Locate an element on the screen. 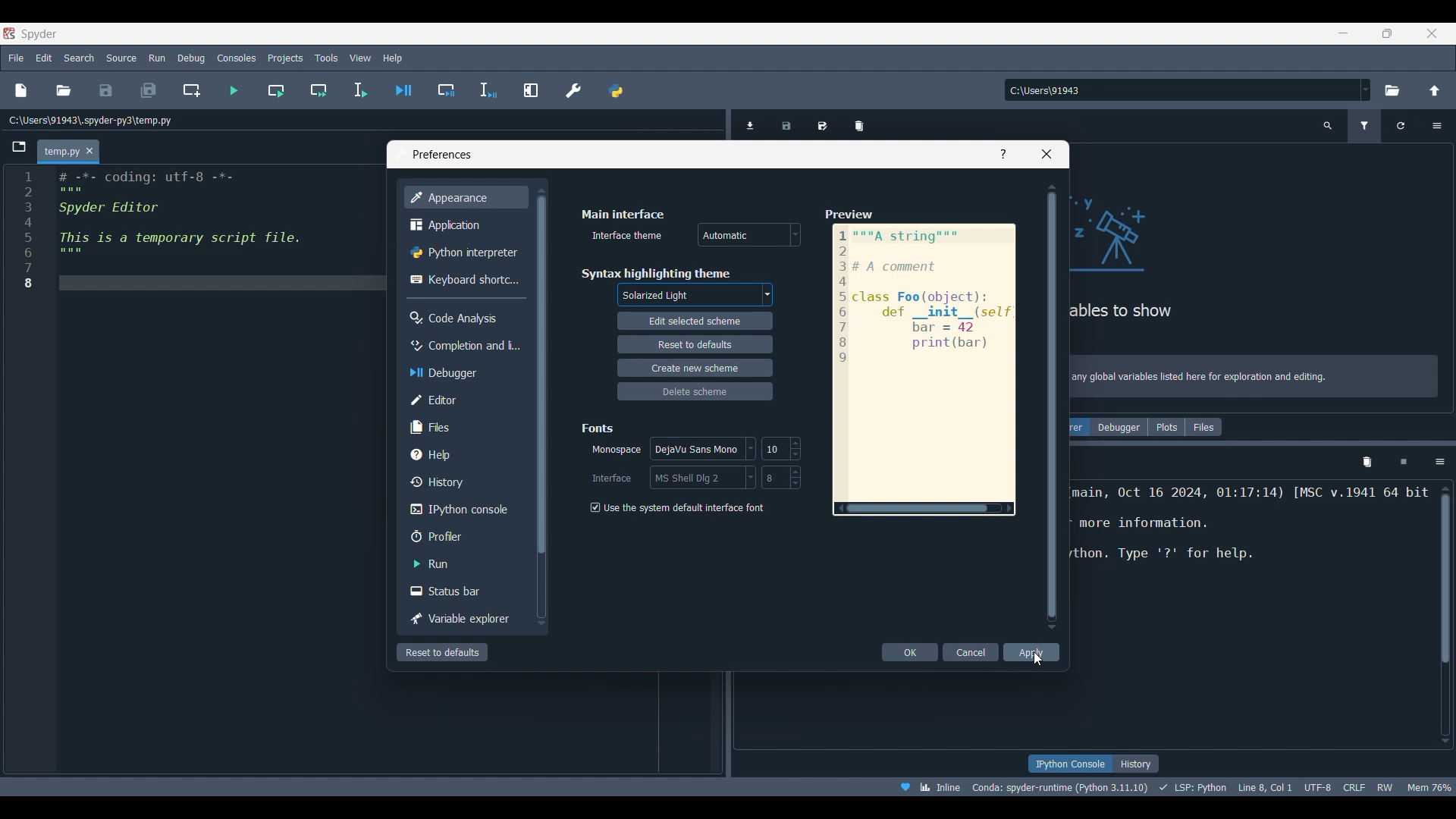 The height and width of the screenshot is (819, 1456). rw is located at coordinates (1388, 788).